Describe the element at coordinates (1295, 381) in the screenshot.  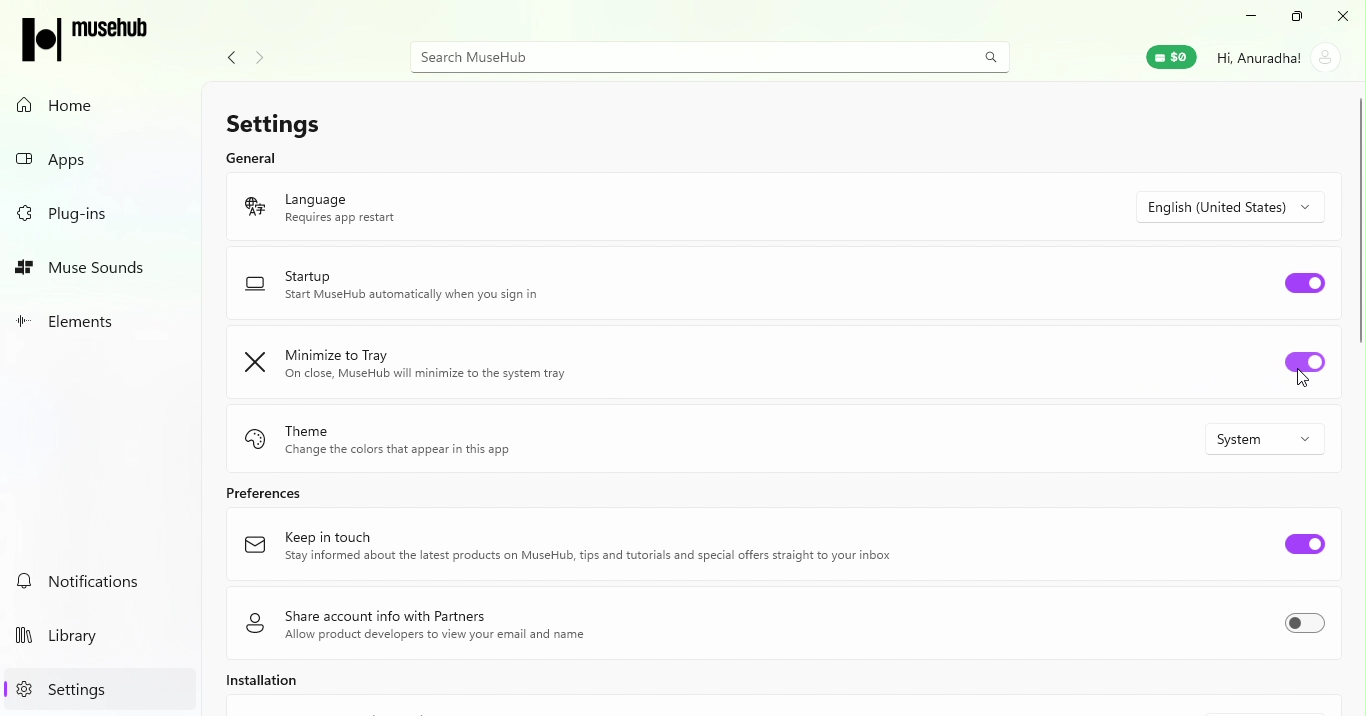
I see `cursor` at that location.